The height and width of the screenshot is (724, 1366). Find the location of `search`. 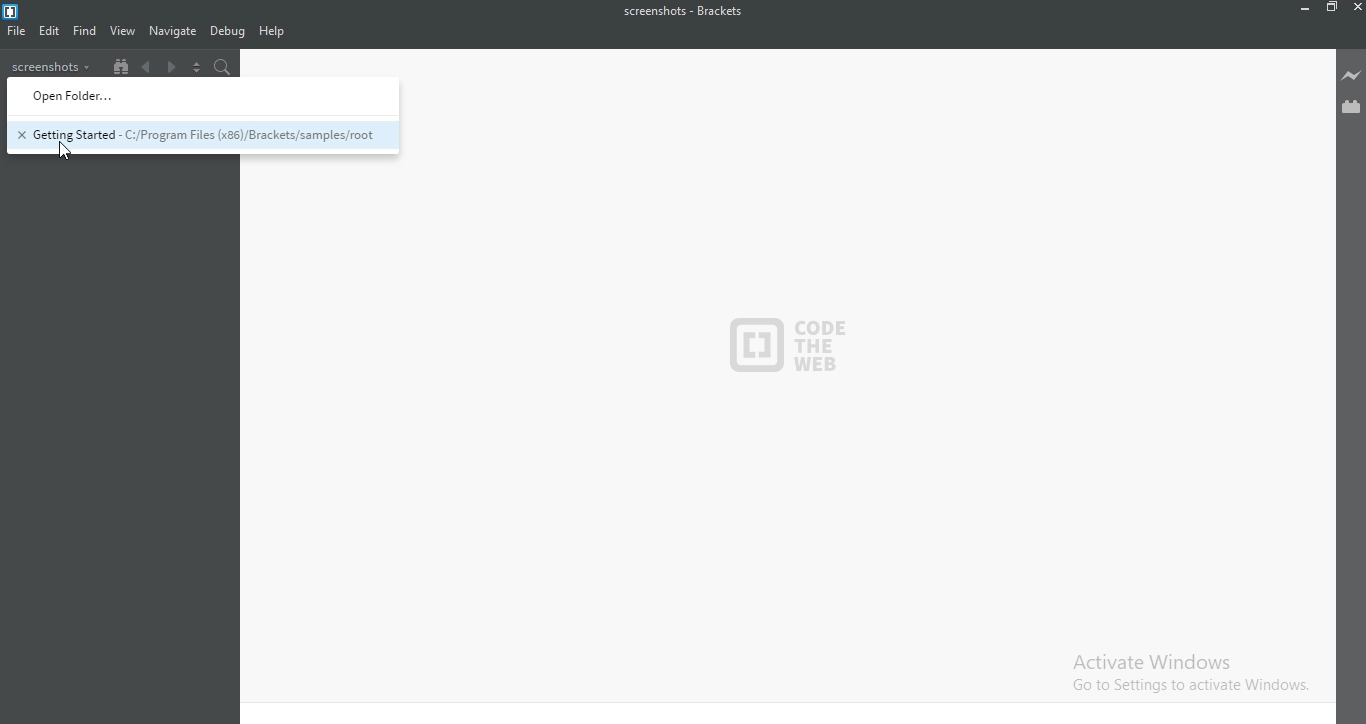

search is located at coordinates (223, 65).